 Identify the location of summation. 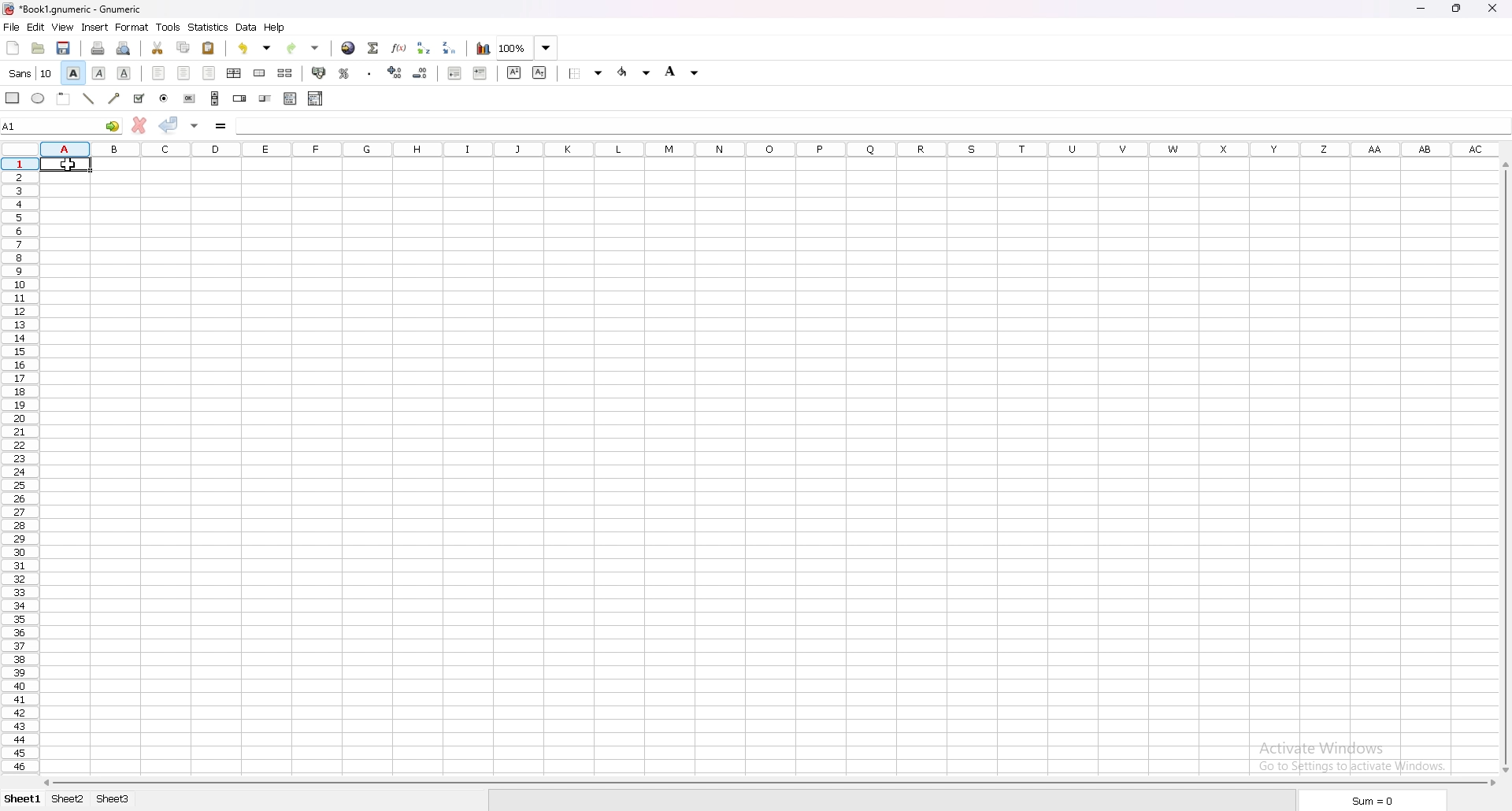
(372, 48).